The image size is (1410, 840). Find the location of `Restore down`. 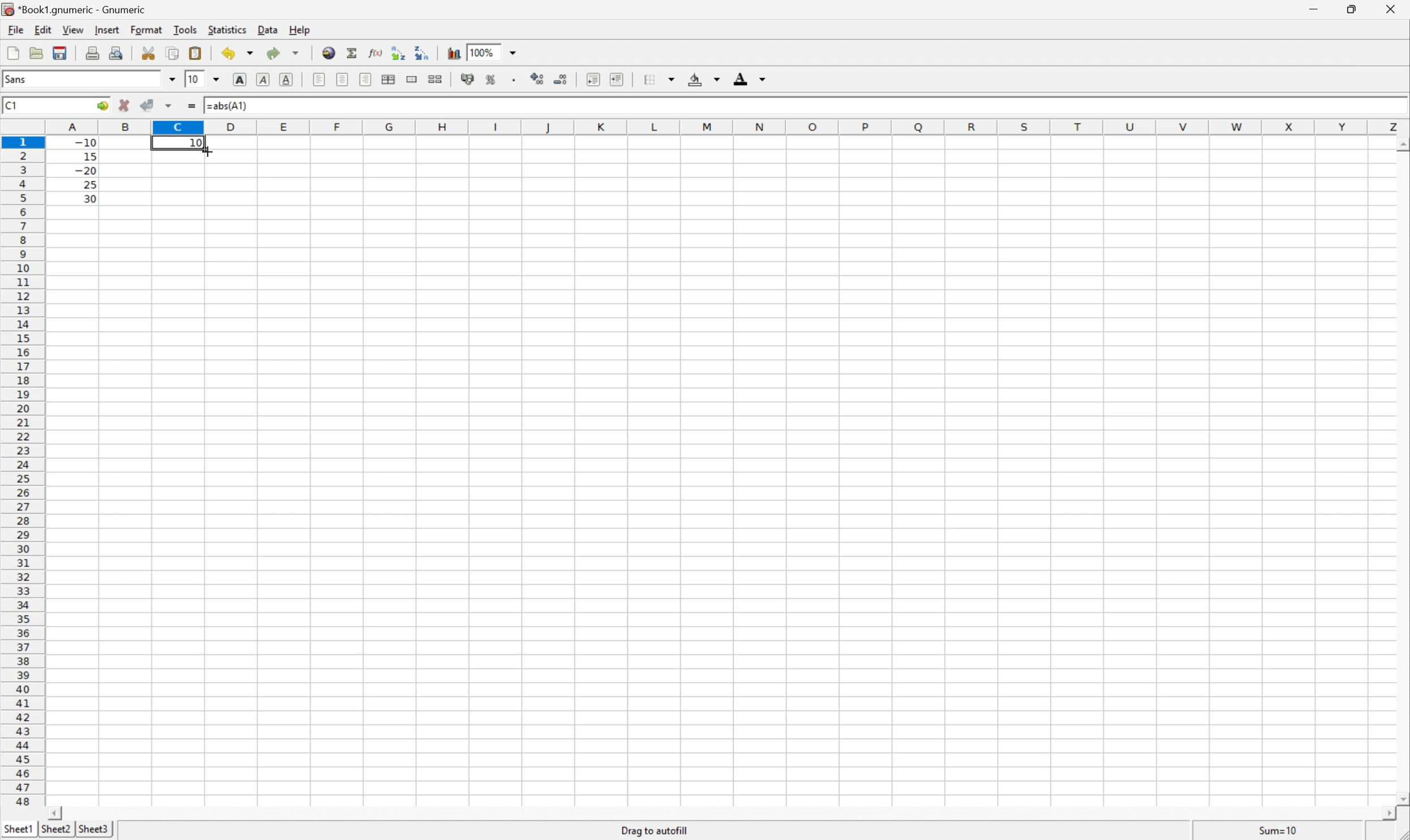

Restore down is located at coordinates (1349, 10).